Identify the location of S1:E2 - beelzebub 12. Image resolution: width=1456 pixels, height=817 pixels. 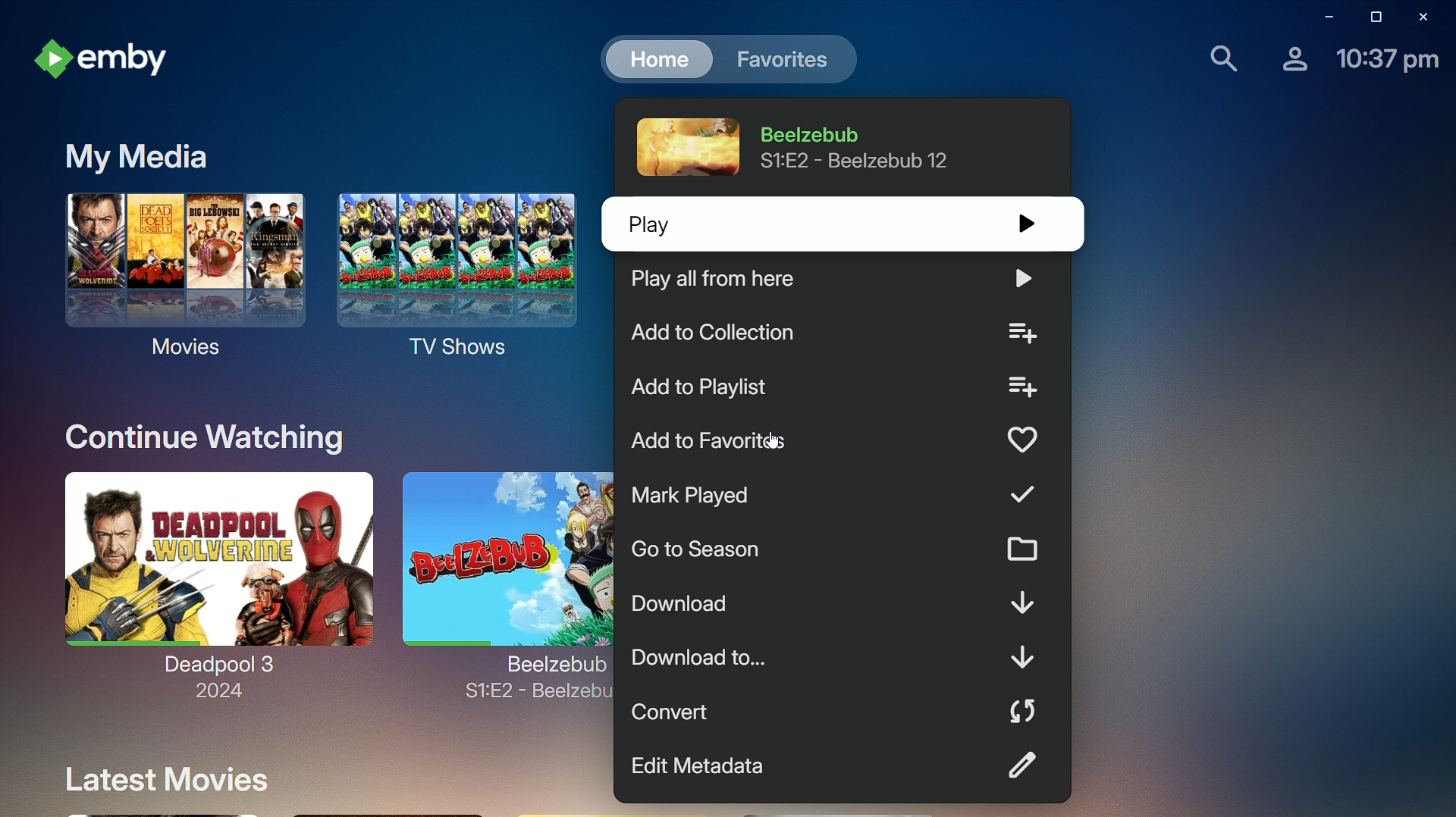
(532, 697).